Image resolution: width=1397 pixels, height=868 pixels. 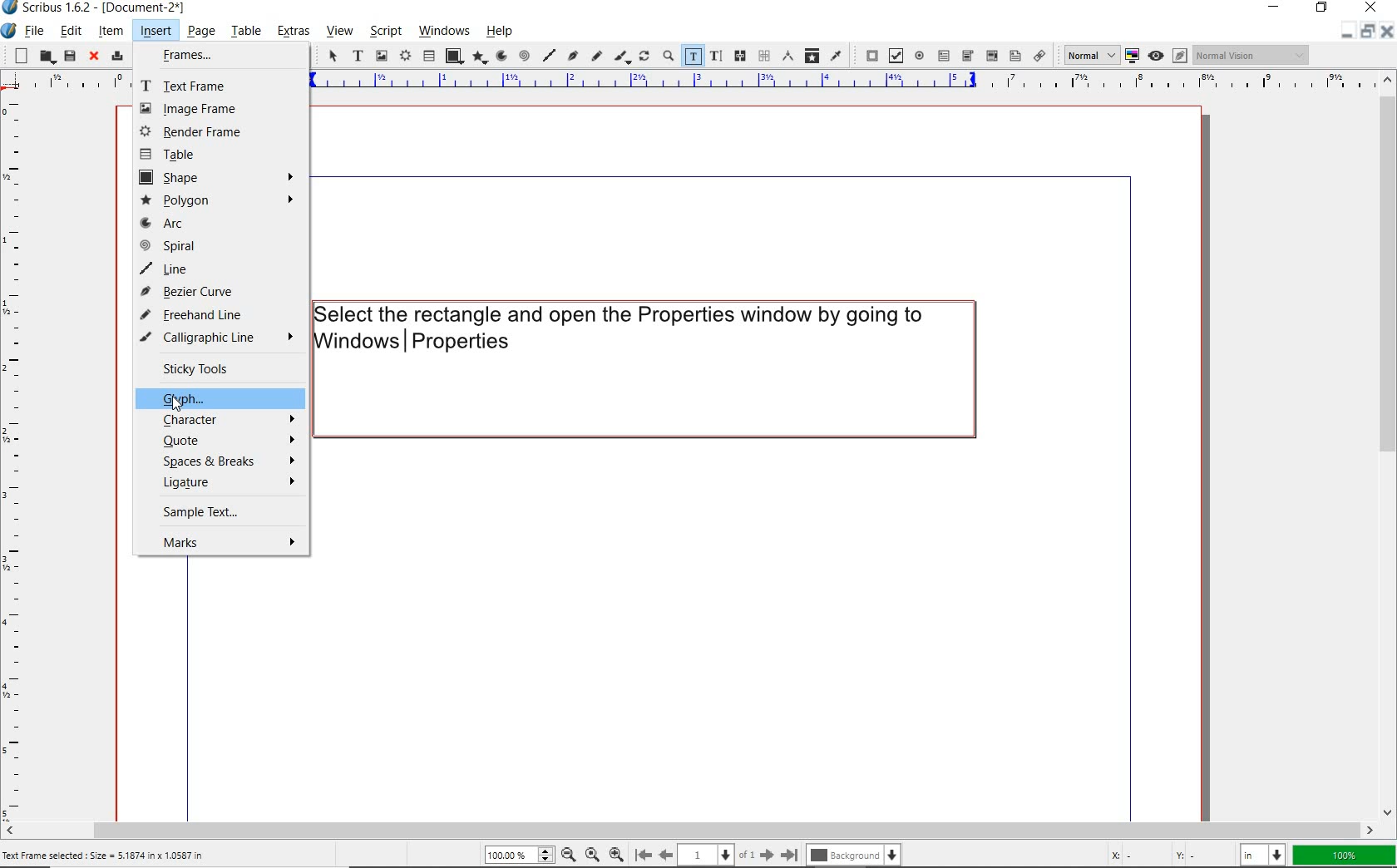 I want to click on Ruler, so click(x=64, y=84).